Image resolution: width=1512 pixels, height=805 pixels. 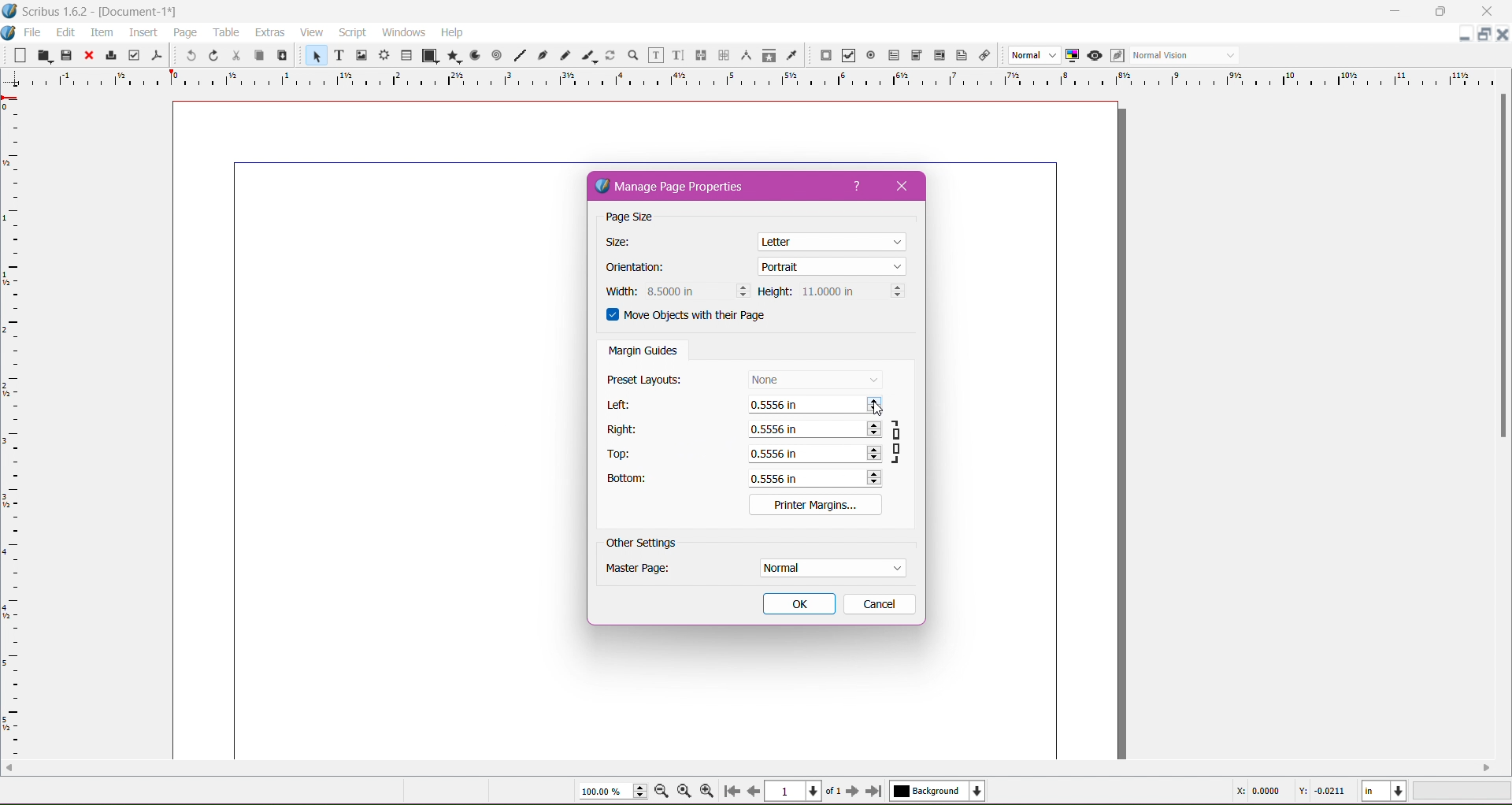 What do you see at coordinates (907, 186) in the screenshot?
I see `Close` at bounding box center [907, 186].